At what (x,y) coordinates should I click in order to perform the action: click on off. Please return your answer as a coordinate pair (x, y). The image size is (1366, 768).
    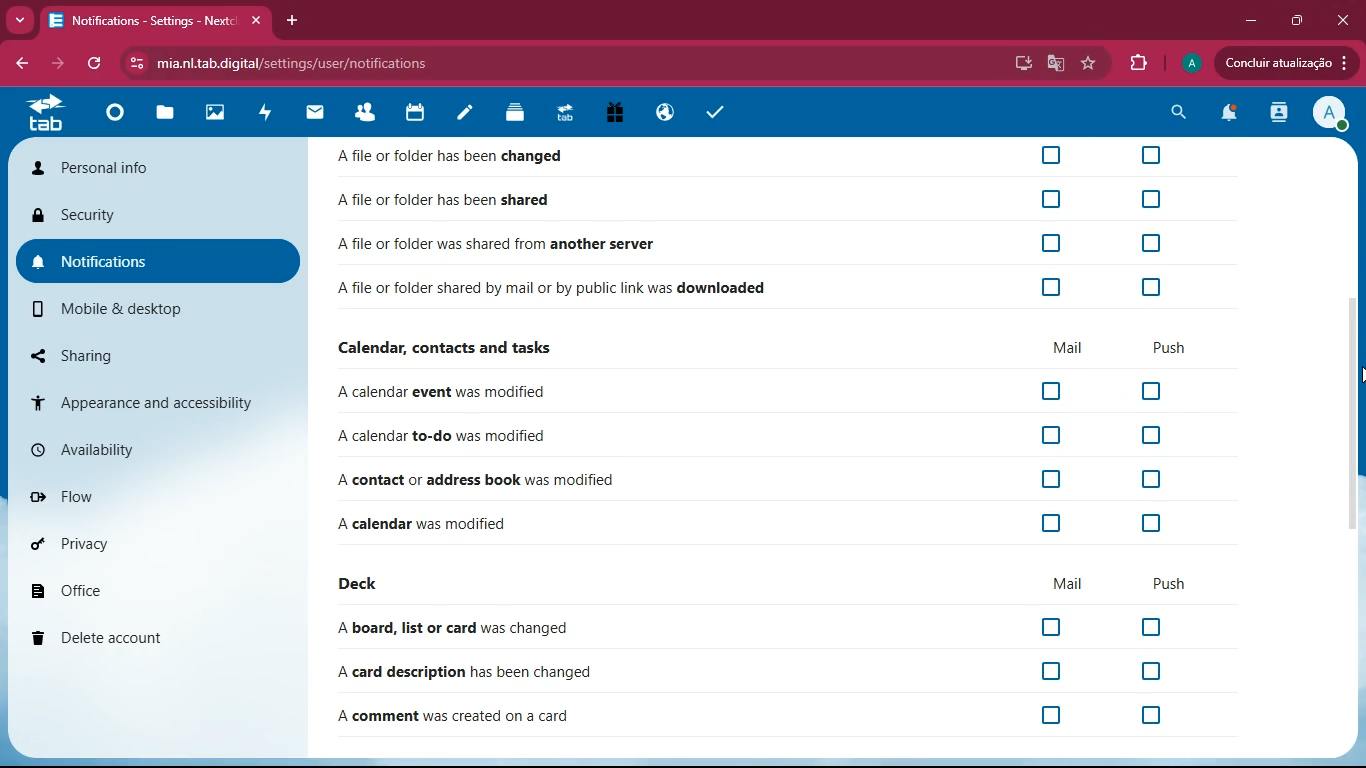
    Looking at the image, I should click on (1152, 154).